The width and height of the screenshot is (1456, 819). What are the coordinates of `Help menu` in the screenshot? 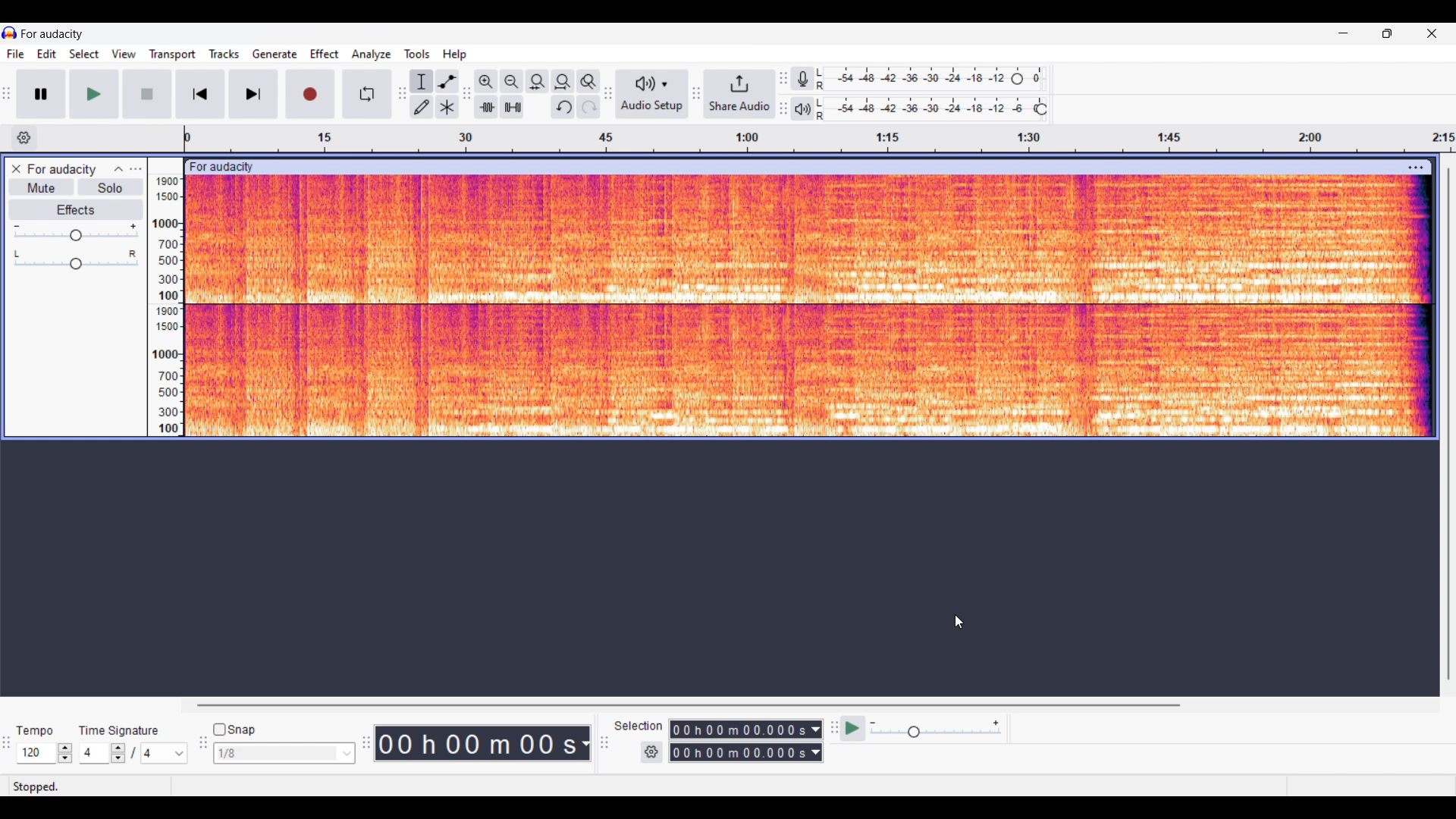 It's located at (455, 55).